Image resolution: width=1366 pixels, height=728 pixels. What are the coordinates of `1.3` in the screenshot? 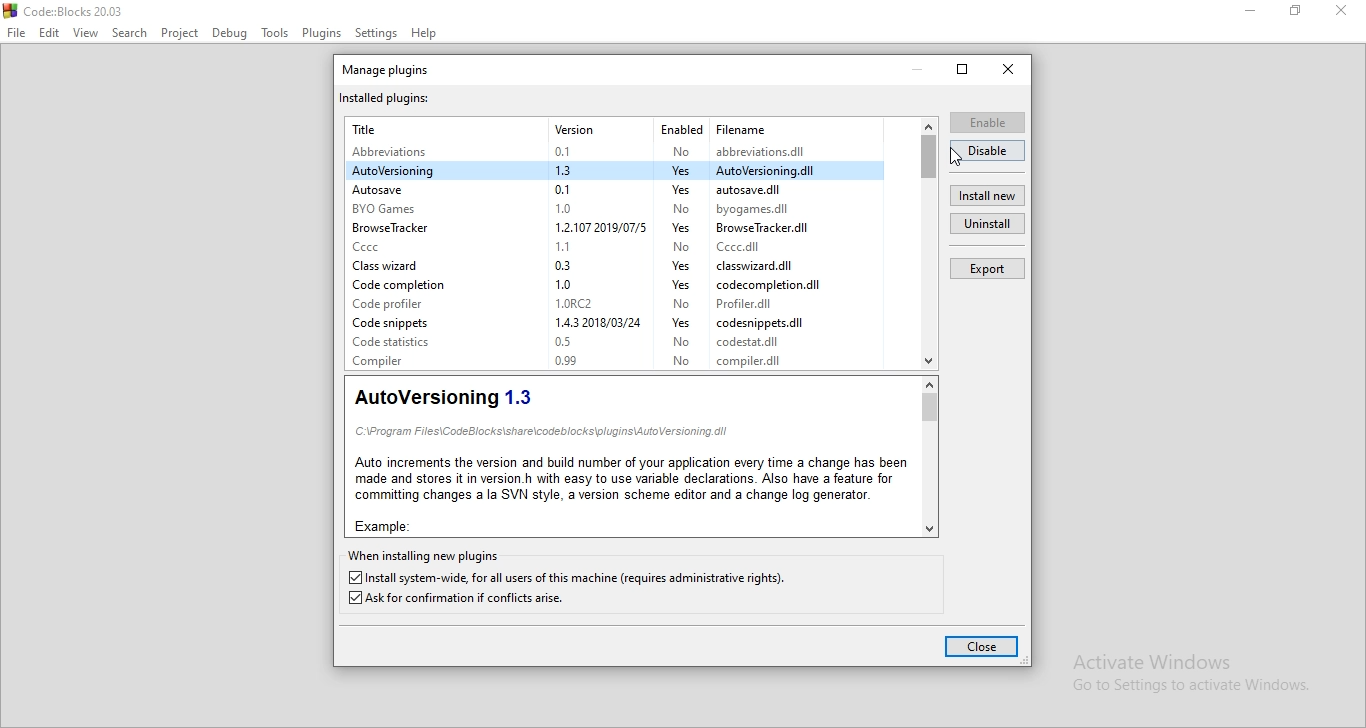 It's located at (571, 168).